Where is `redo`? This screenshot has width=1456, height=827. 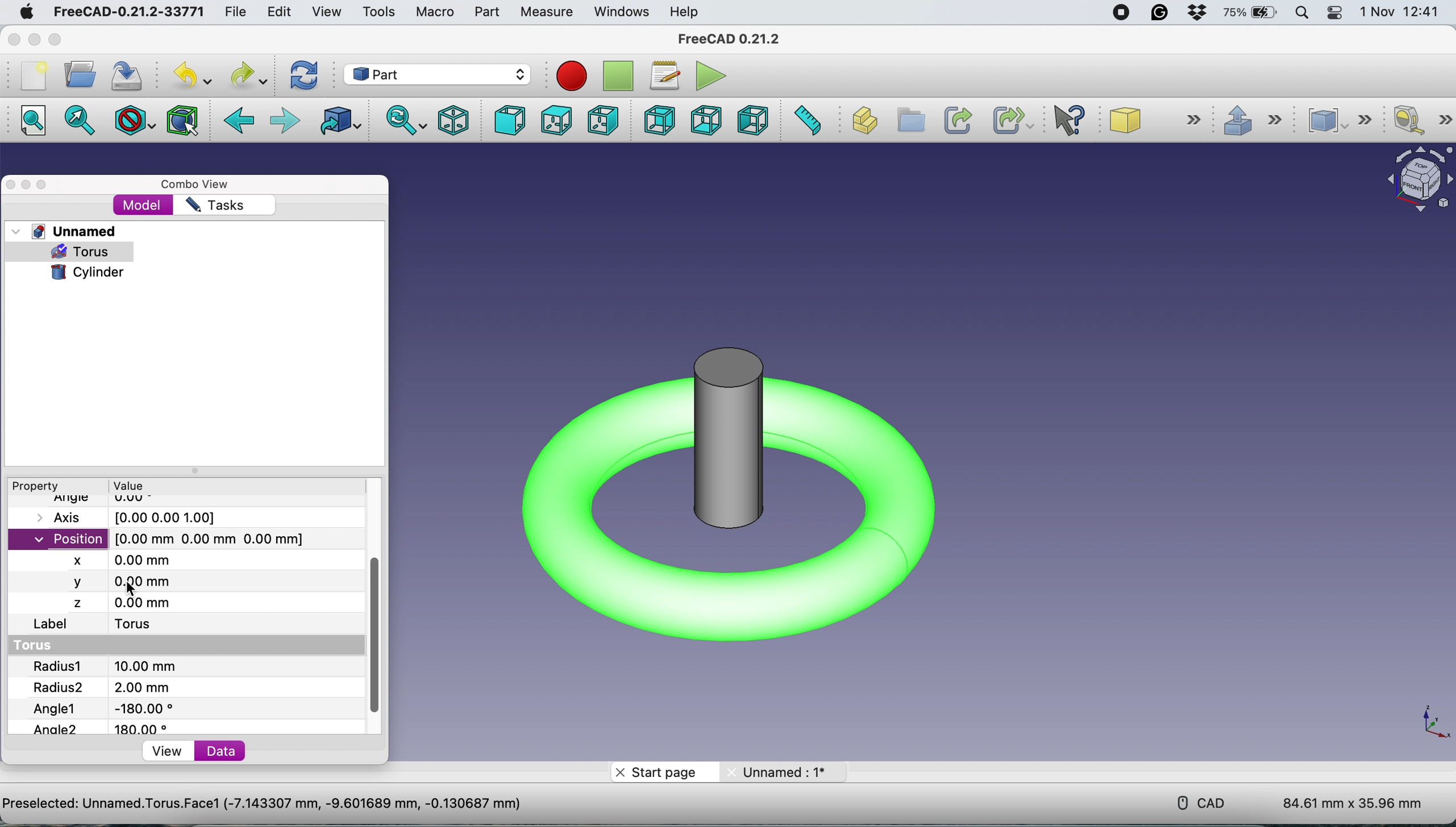
redo is located at coordinates (246, 74).